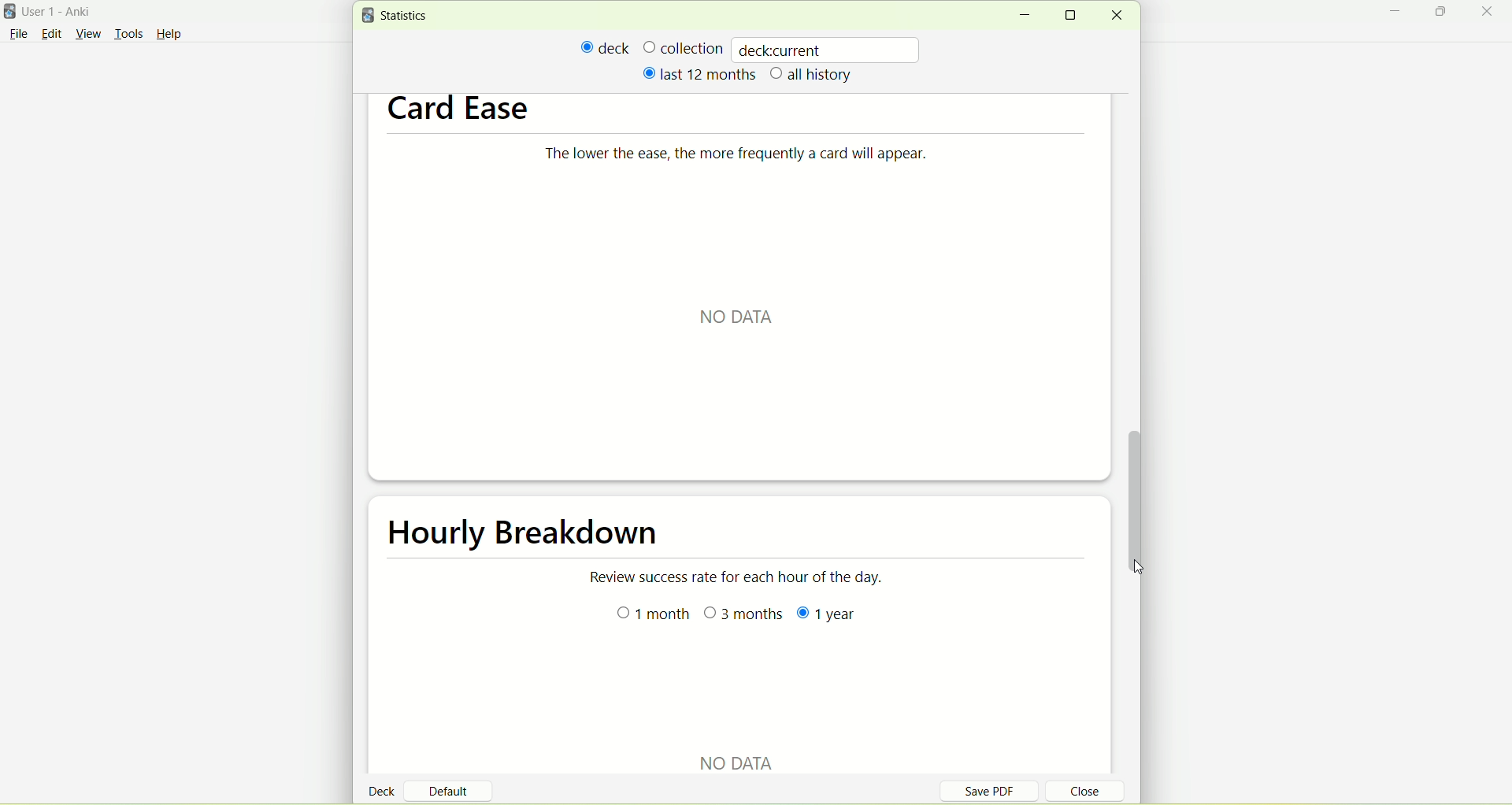  Describe the element at coordinates (384, 790) in the screenshot. I see `deck` at that location.